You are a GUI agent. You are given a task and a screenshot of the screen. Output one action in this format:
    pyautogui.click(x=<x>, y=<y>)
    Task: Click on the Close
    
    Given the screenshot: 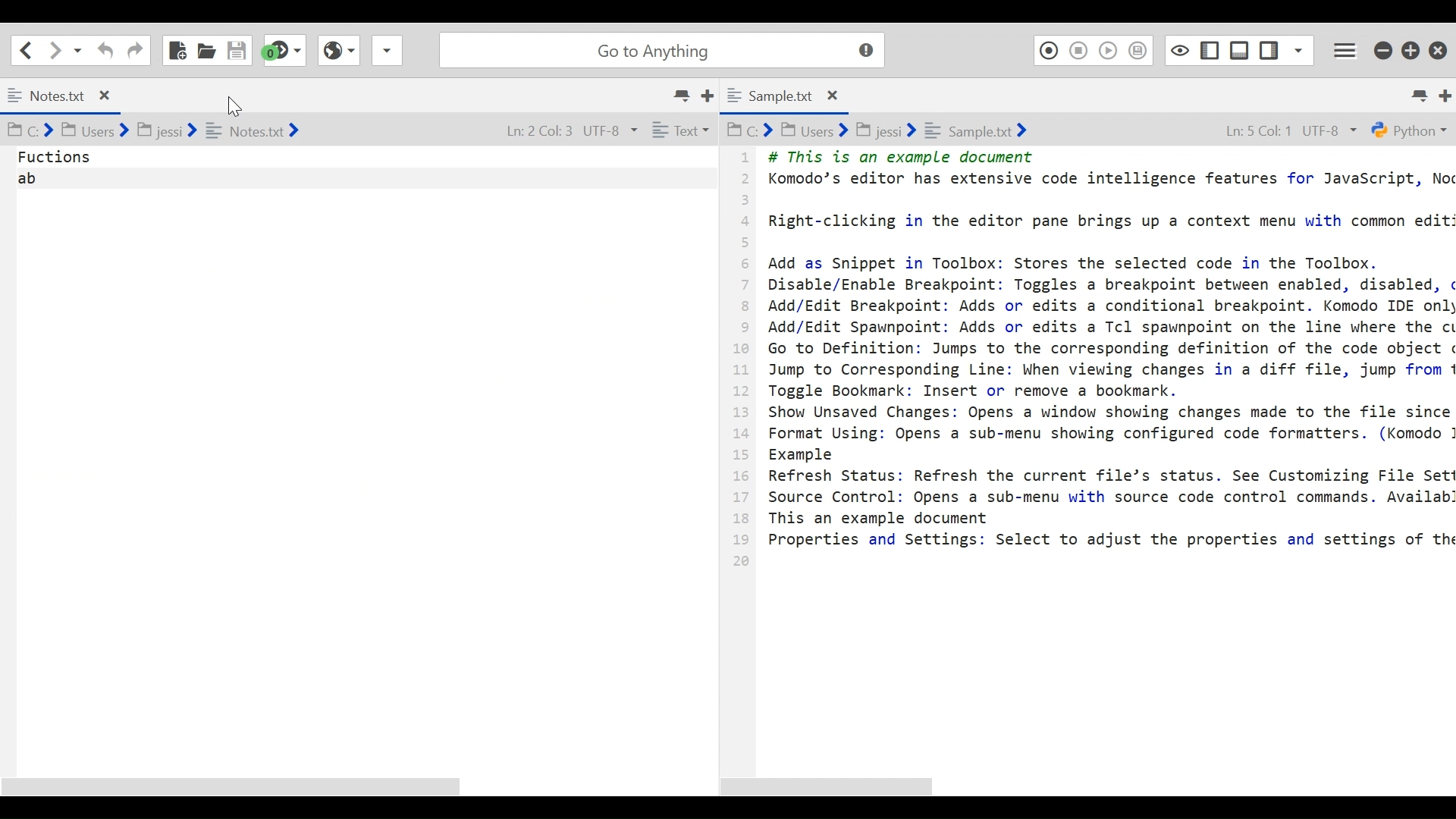 What is the action you would take?
    pyautogui.click(x=1439, y=51)
    